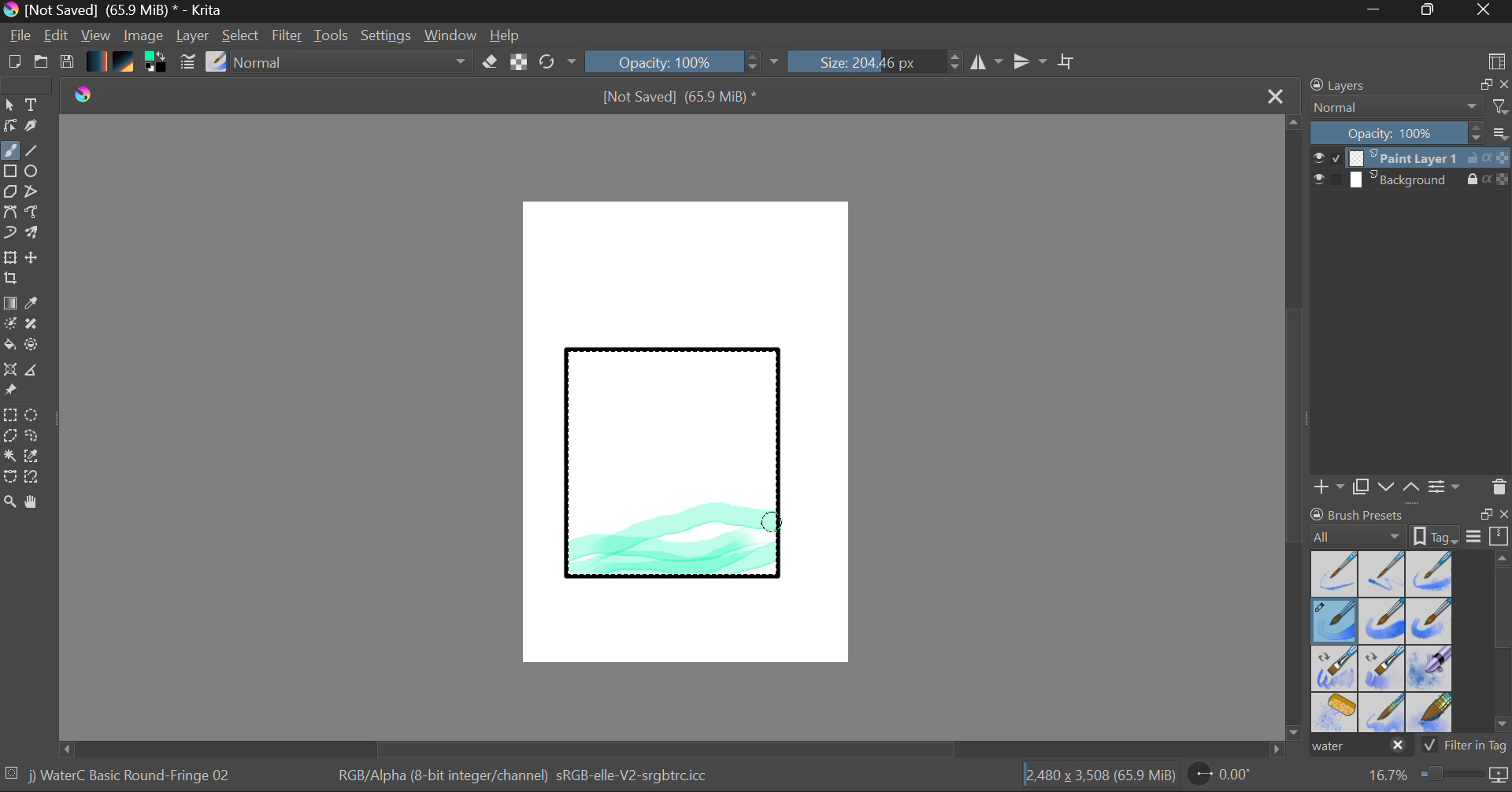 Image resolution: width=1512 pixels, height=792 pixels. What do you see at coordinates (9, 347) in the screenshot?
I see `Fill` at bounding box center [9, 347].